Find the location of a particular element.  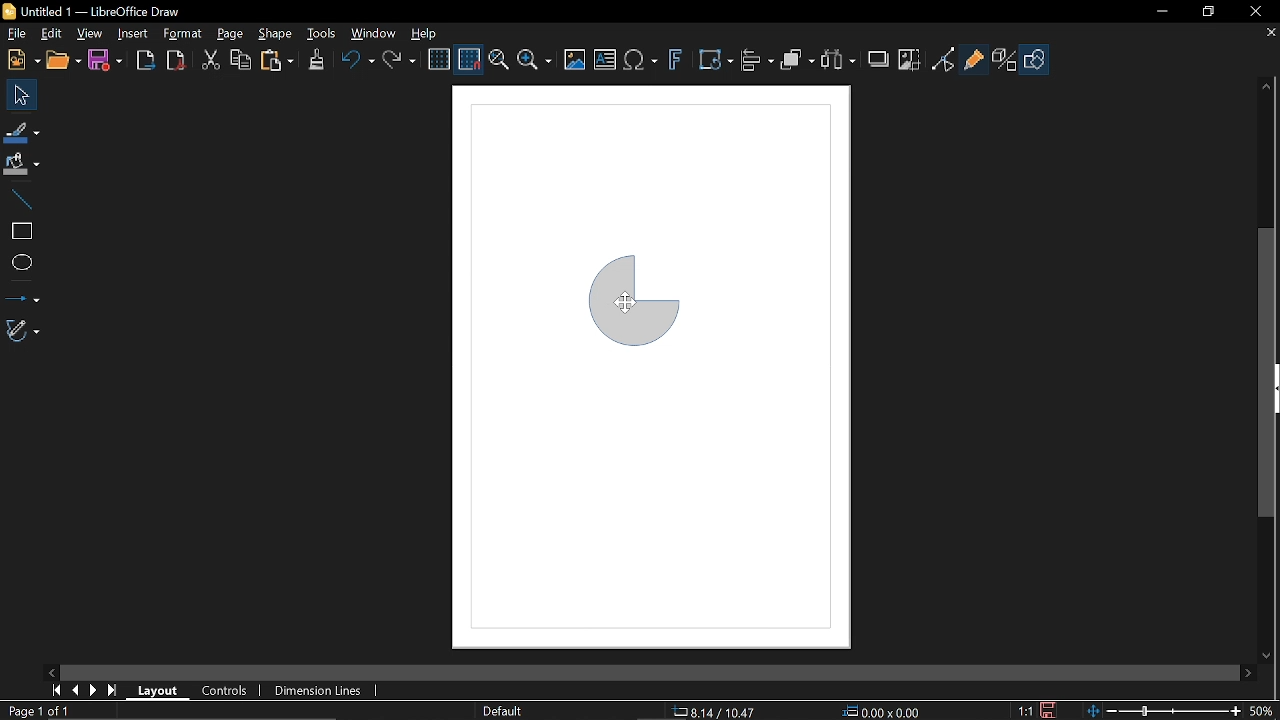

Default(Slide master name) is located at coordinates (506, 711).